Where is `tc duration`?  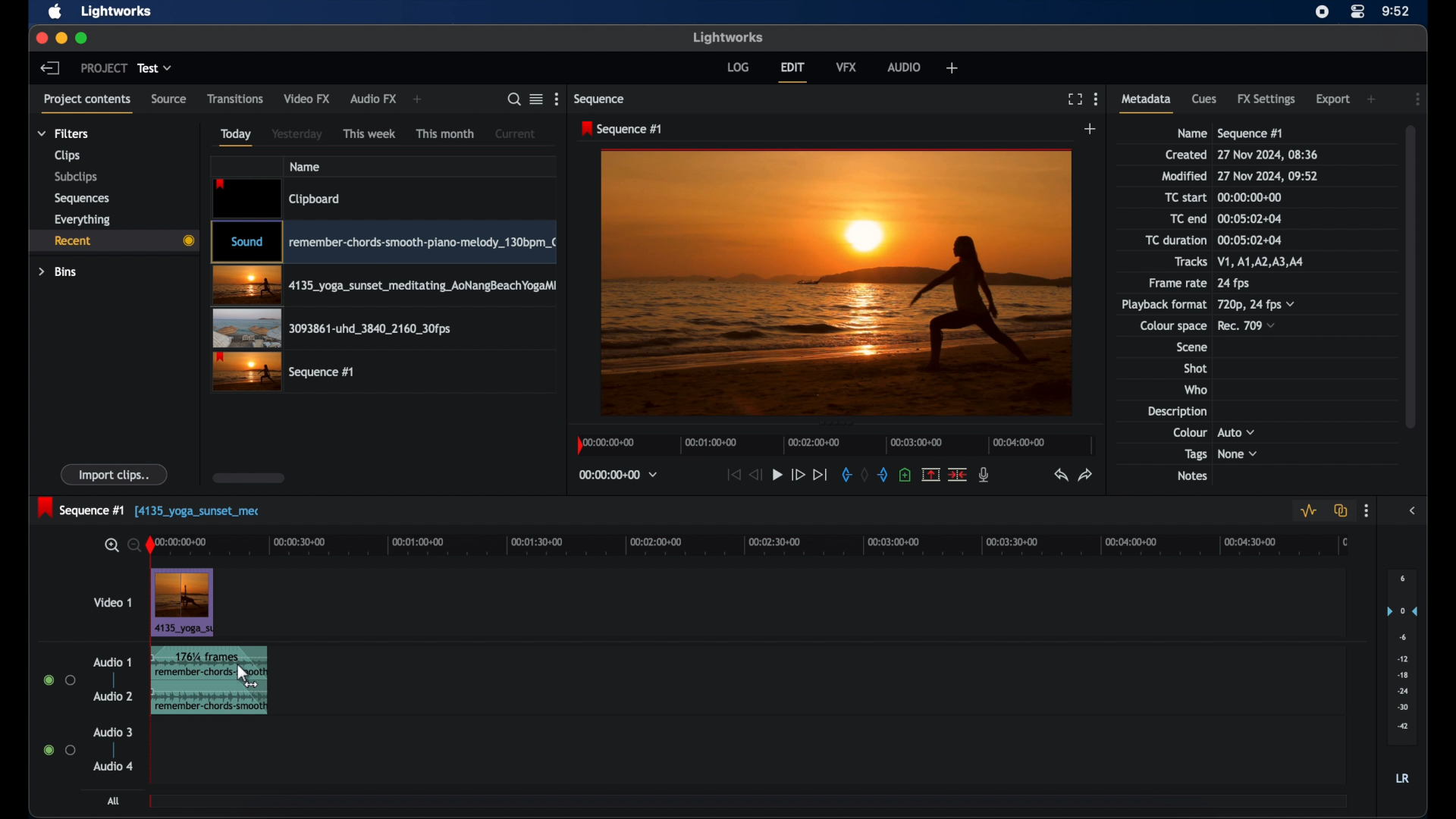 tc duration is located at coordinates (1248, 240).